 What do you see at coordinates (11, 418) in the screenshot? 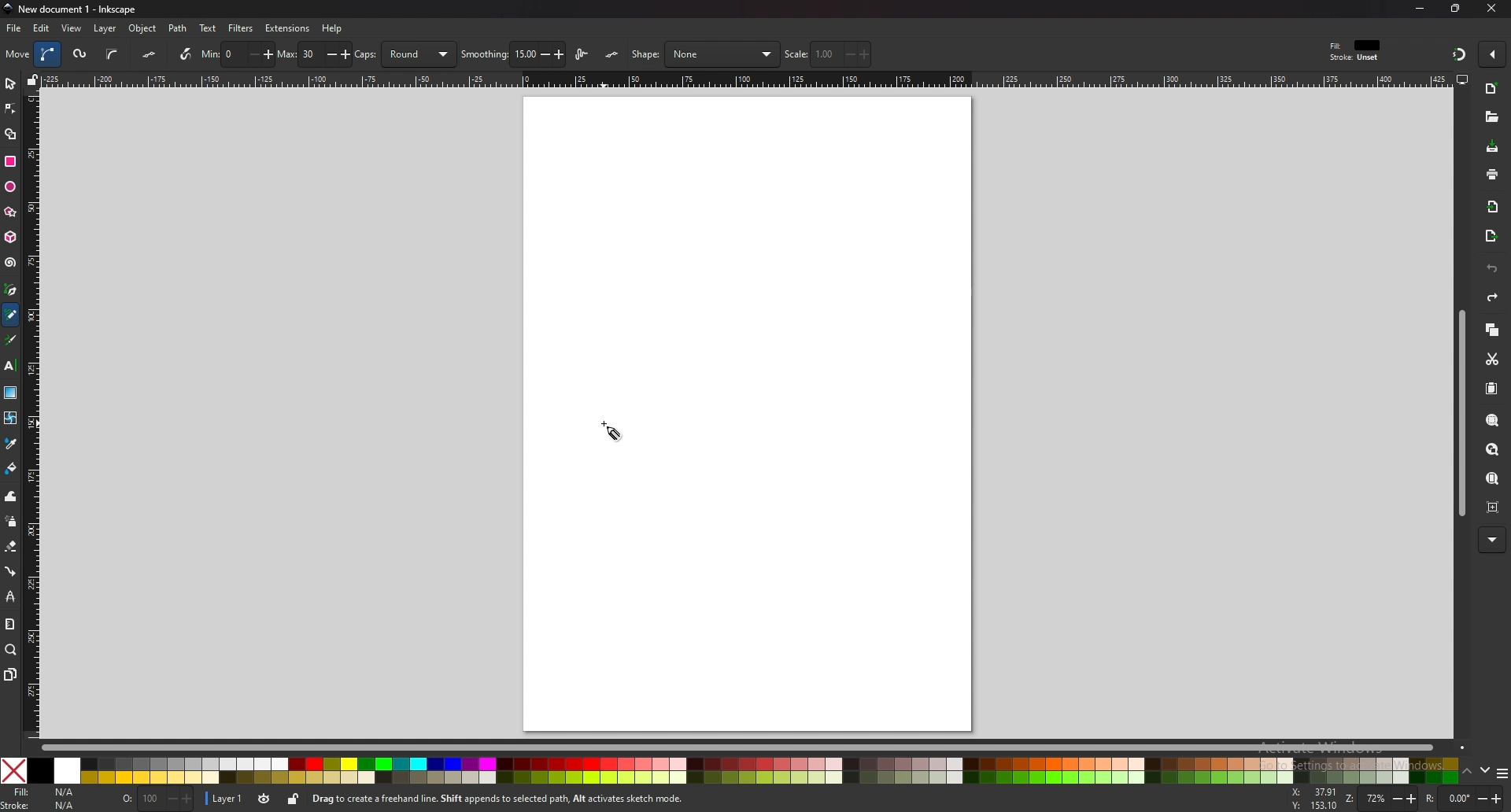
I see `mesh` at bounding box center [11, 418].